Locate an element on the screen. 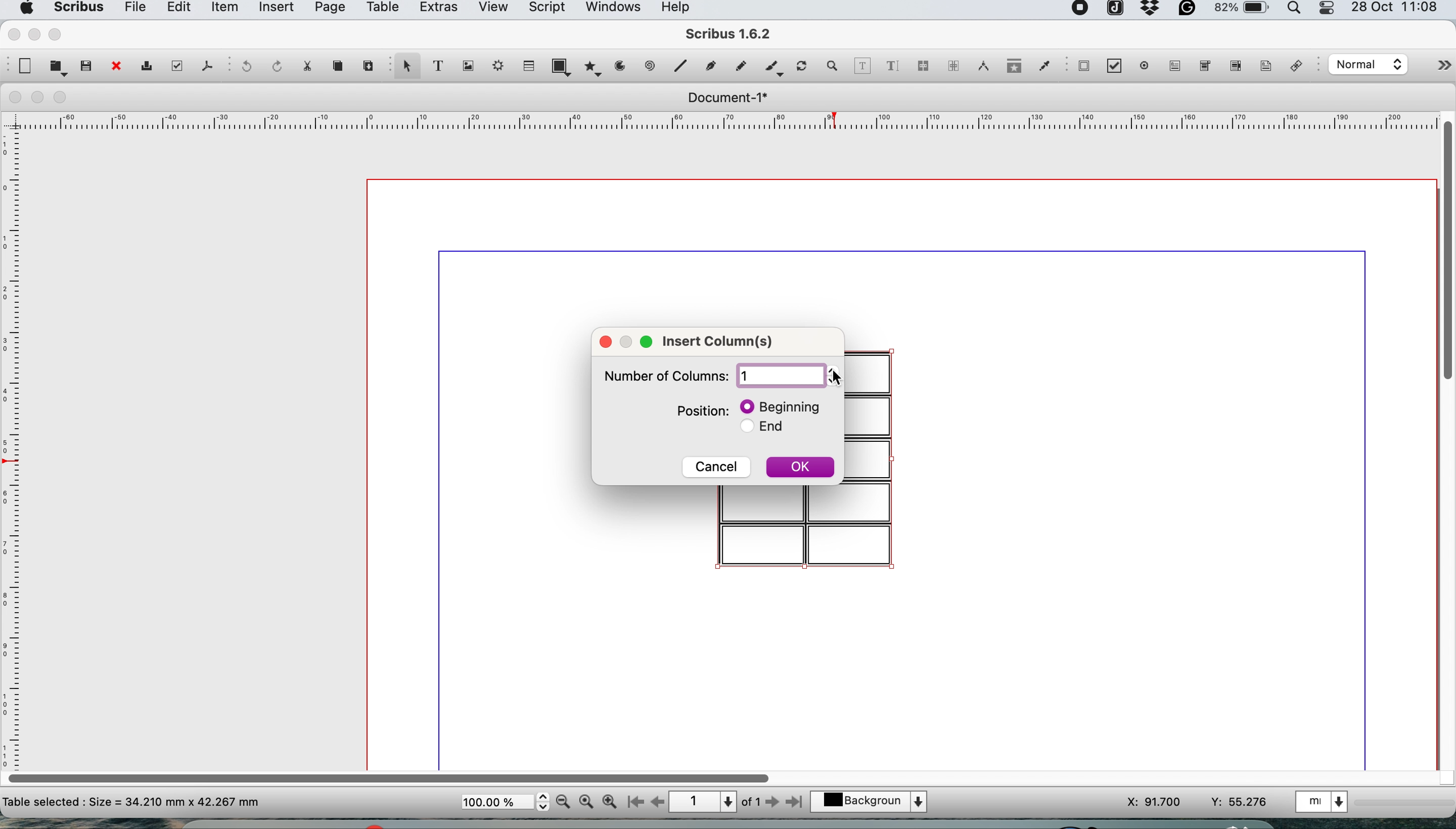 This screenshot has height=829, width=1456. print is located at coordinates (145, 68).